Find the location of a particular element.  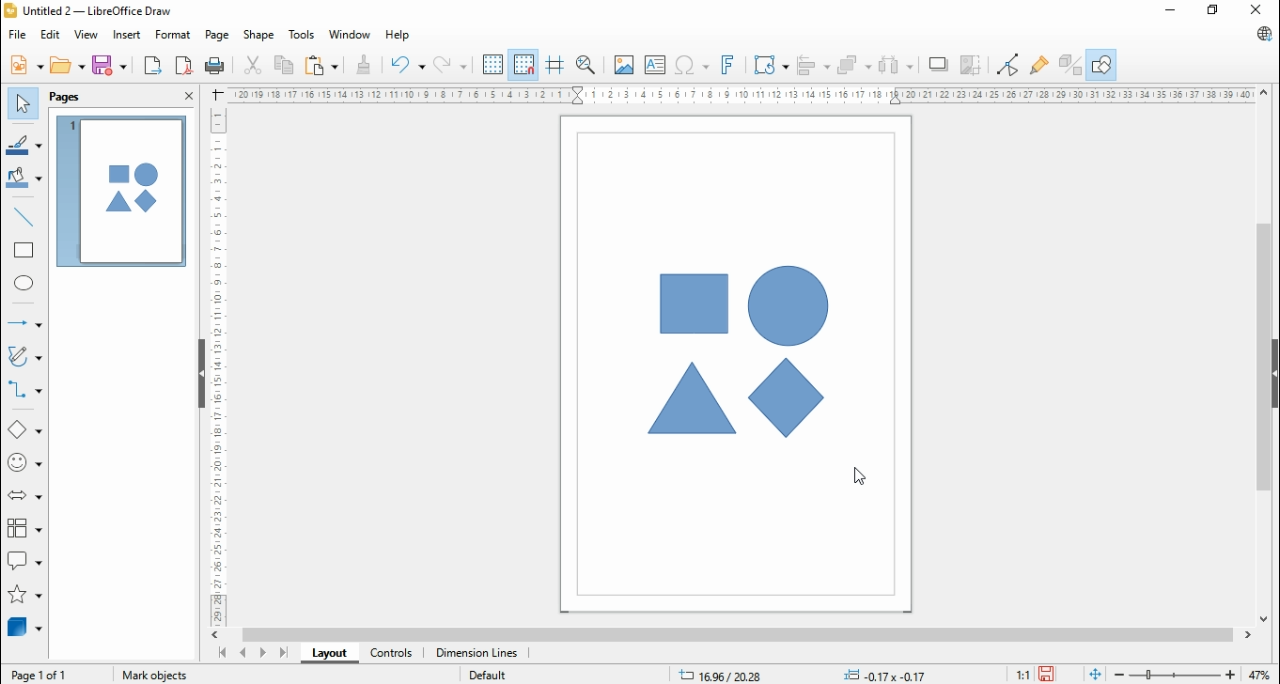

arrange is located at coordinates (854, 64).